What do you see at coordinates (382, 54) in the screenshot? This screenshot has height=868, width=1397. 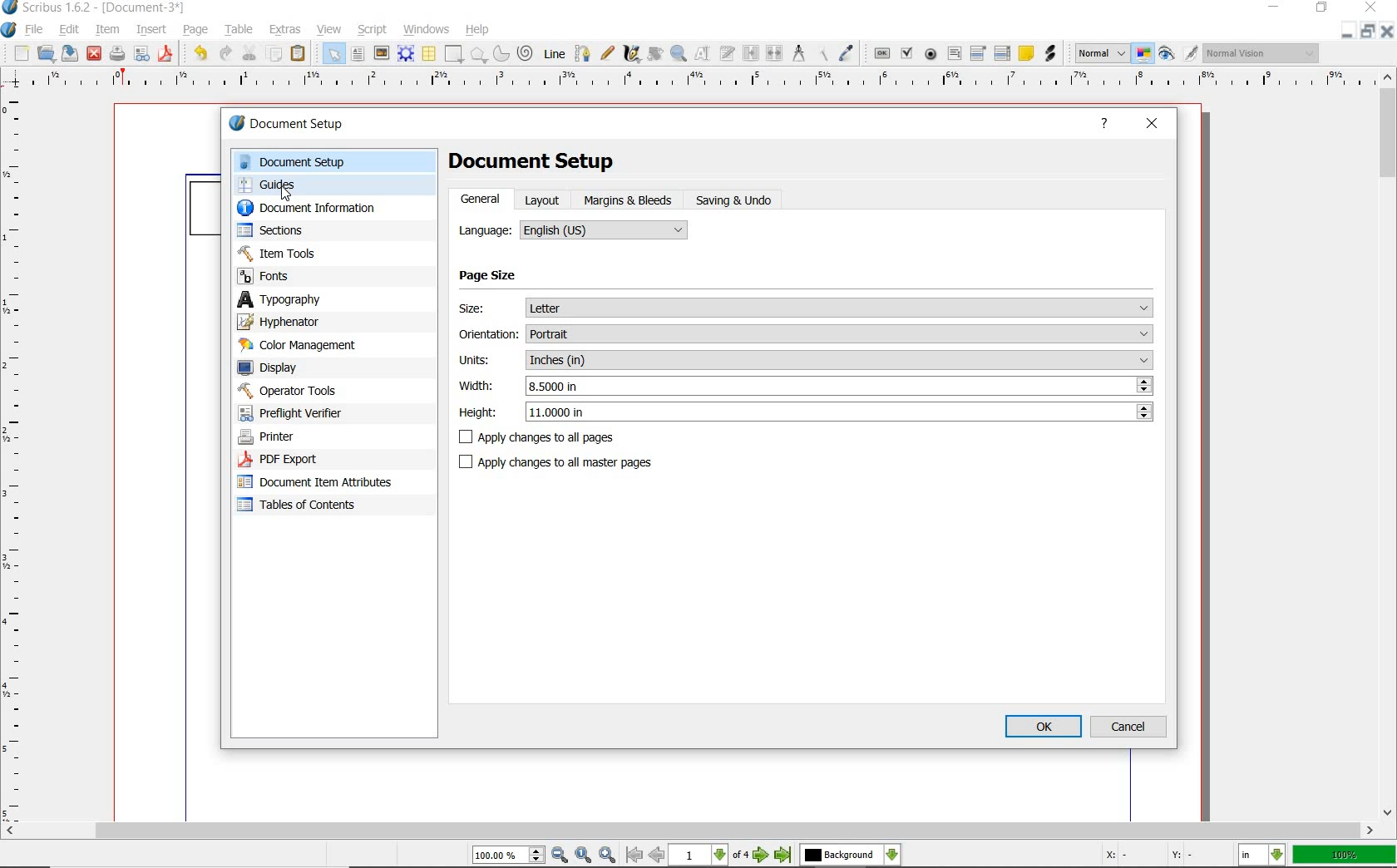 I see `image frame` at bounding box center [382, 54].